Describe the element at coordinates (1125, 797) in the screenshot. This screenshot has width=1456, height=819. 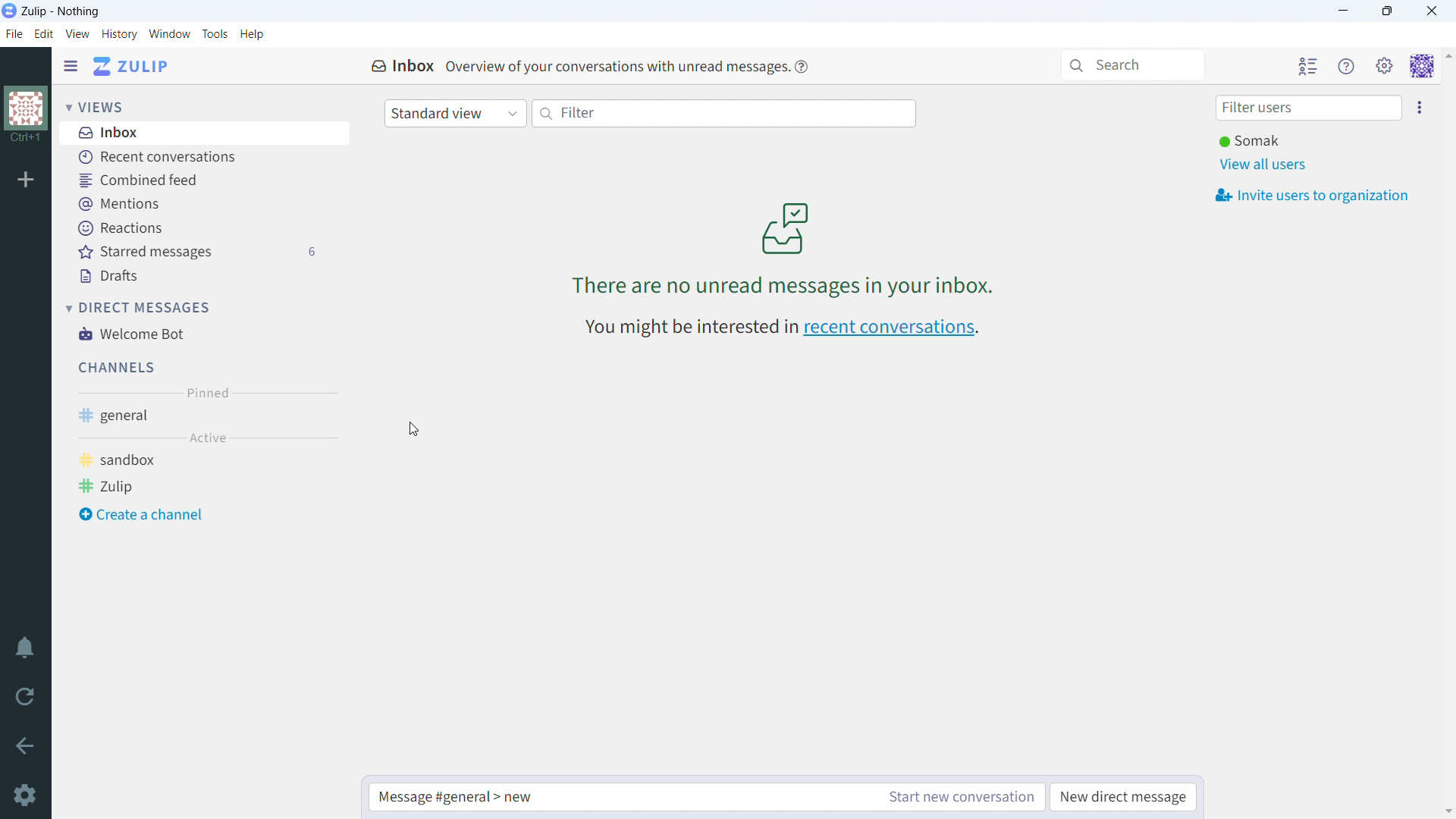
I see `new direct message` at that location.